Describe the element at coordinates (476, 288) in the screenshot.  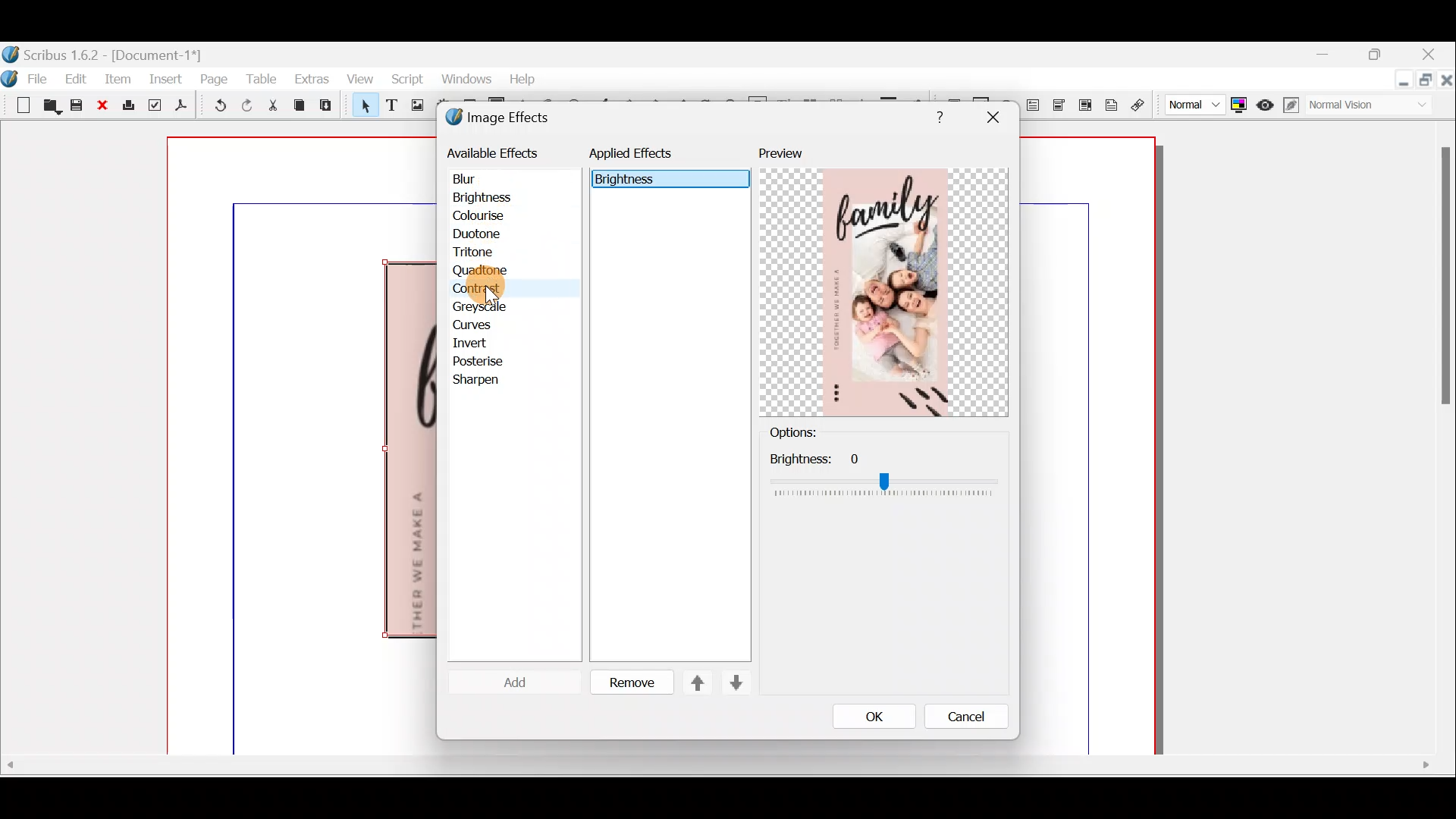
I see `Contrast` at that location.